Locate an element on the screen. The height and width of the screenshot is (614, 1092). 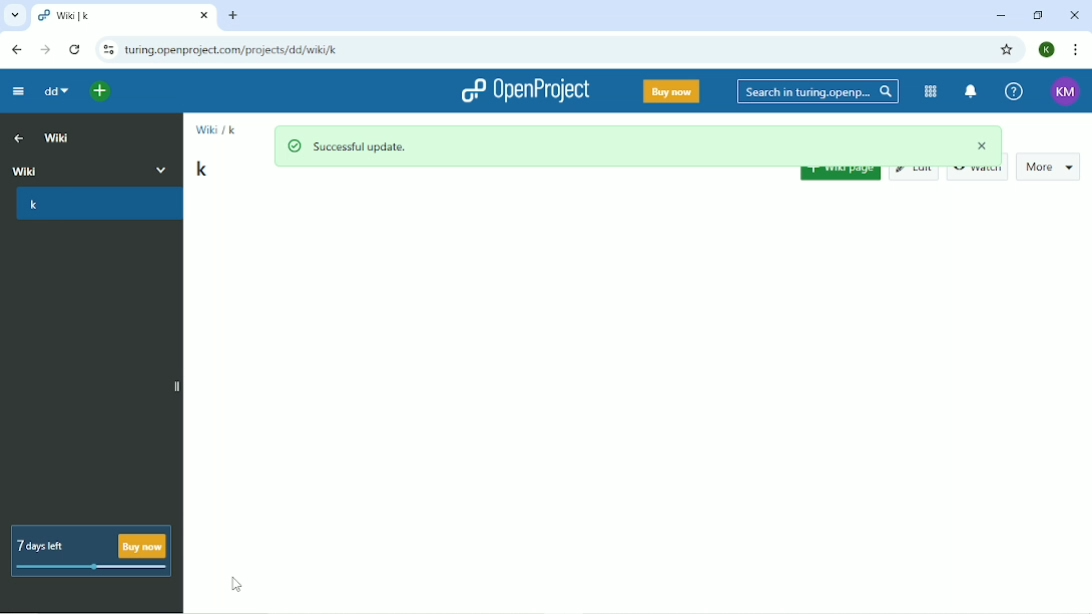
Wiki is located at coordinates (92, 168).